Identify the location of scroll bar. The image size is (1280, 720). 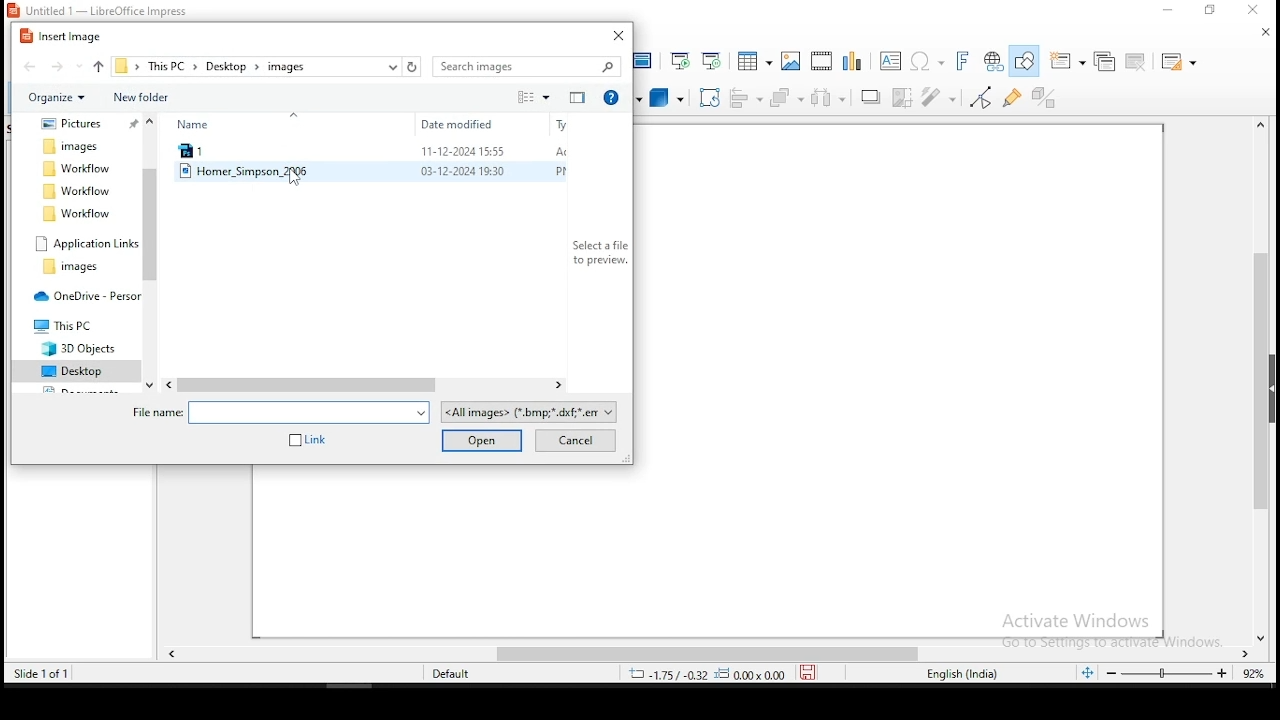
(1259, 344).